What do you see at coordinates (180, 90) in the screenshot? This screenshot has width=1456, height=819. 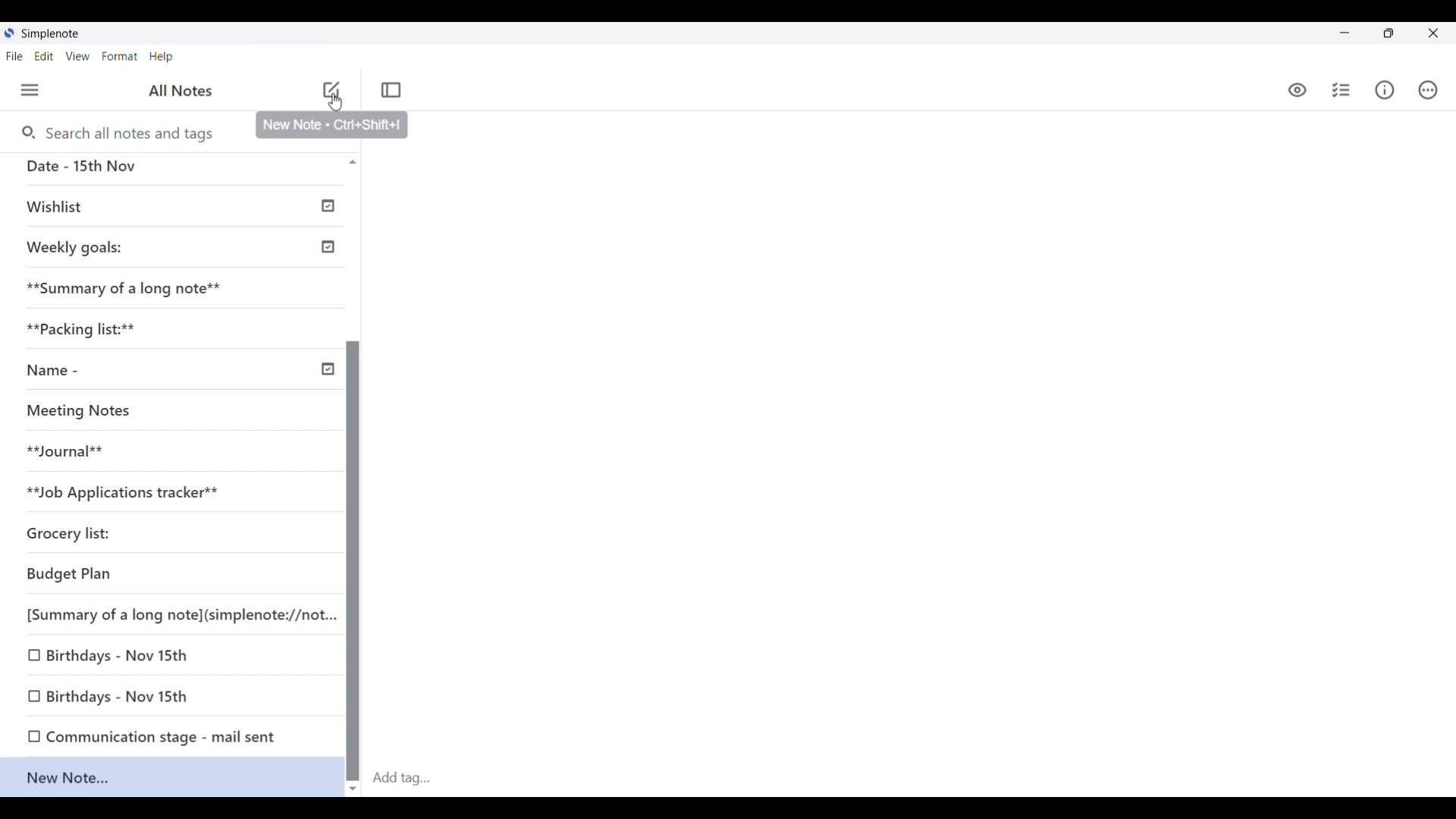 I see `all notes` at bounding box center [180, 90].